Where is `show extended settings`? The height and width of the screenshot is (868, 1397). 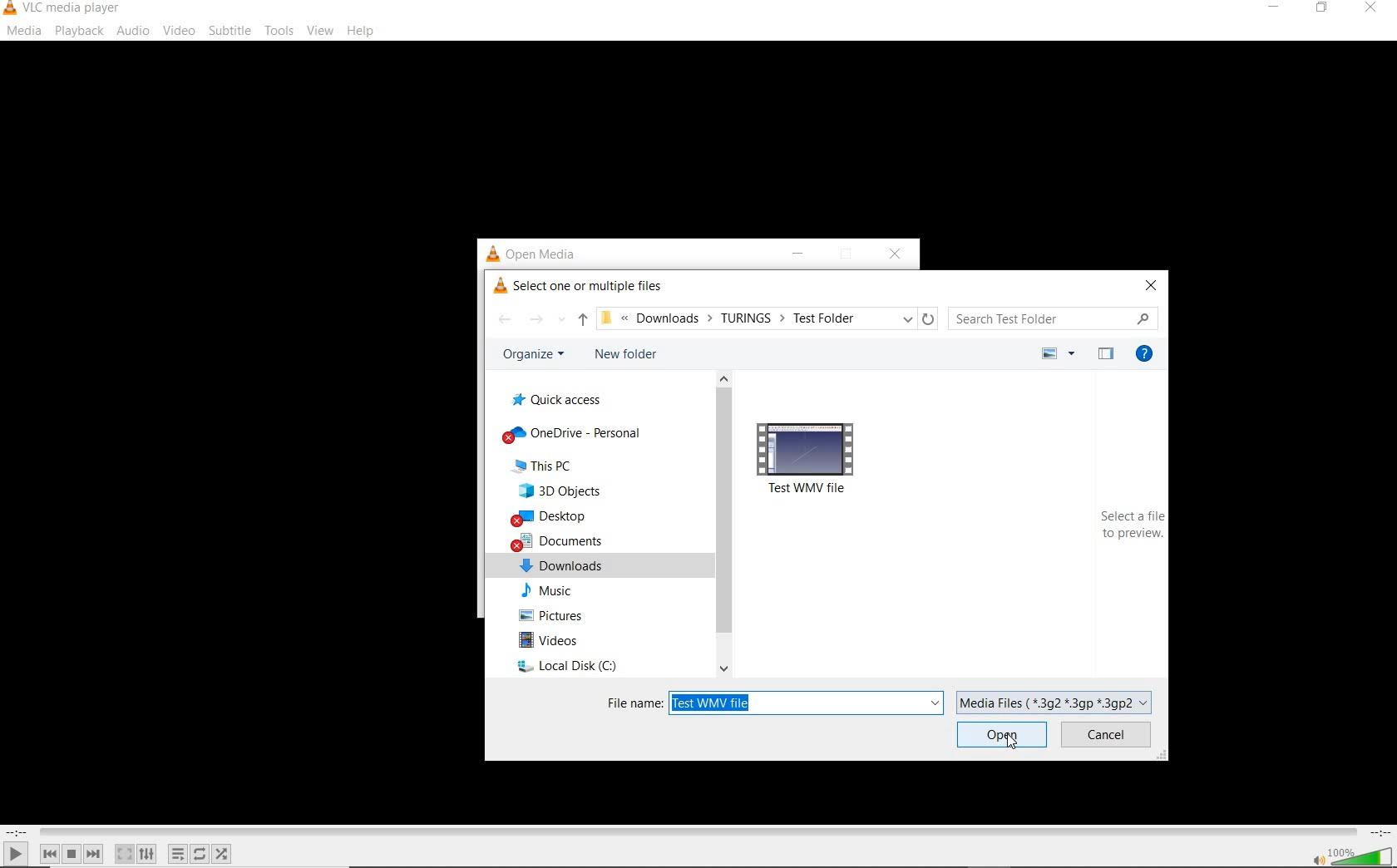
show extended settings is located at coordinates (146, 854).